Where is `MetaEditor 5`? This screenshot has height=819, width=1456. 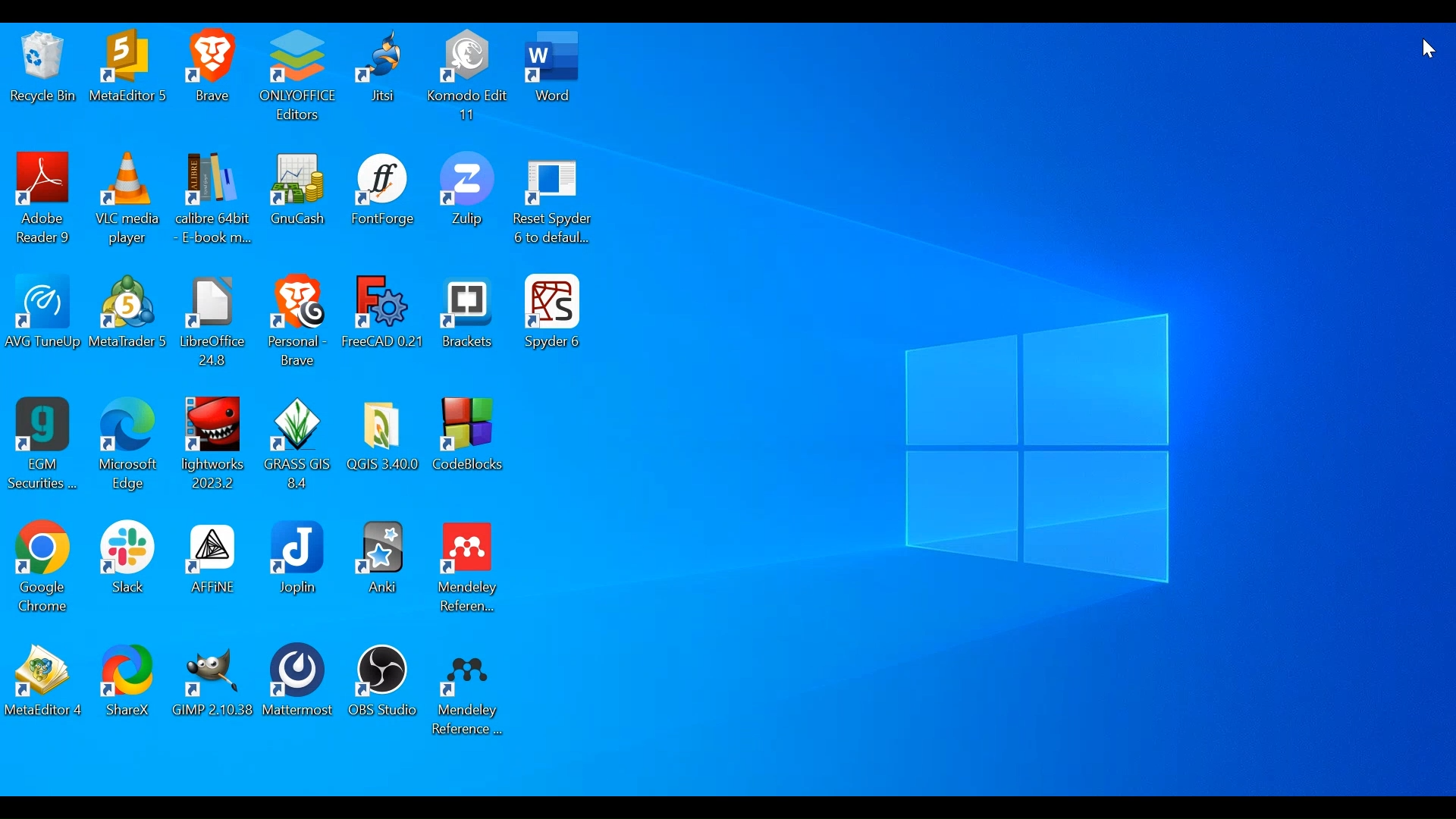 MetaEditor 5 is located at coordinates (127, 76).